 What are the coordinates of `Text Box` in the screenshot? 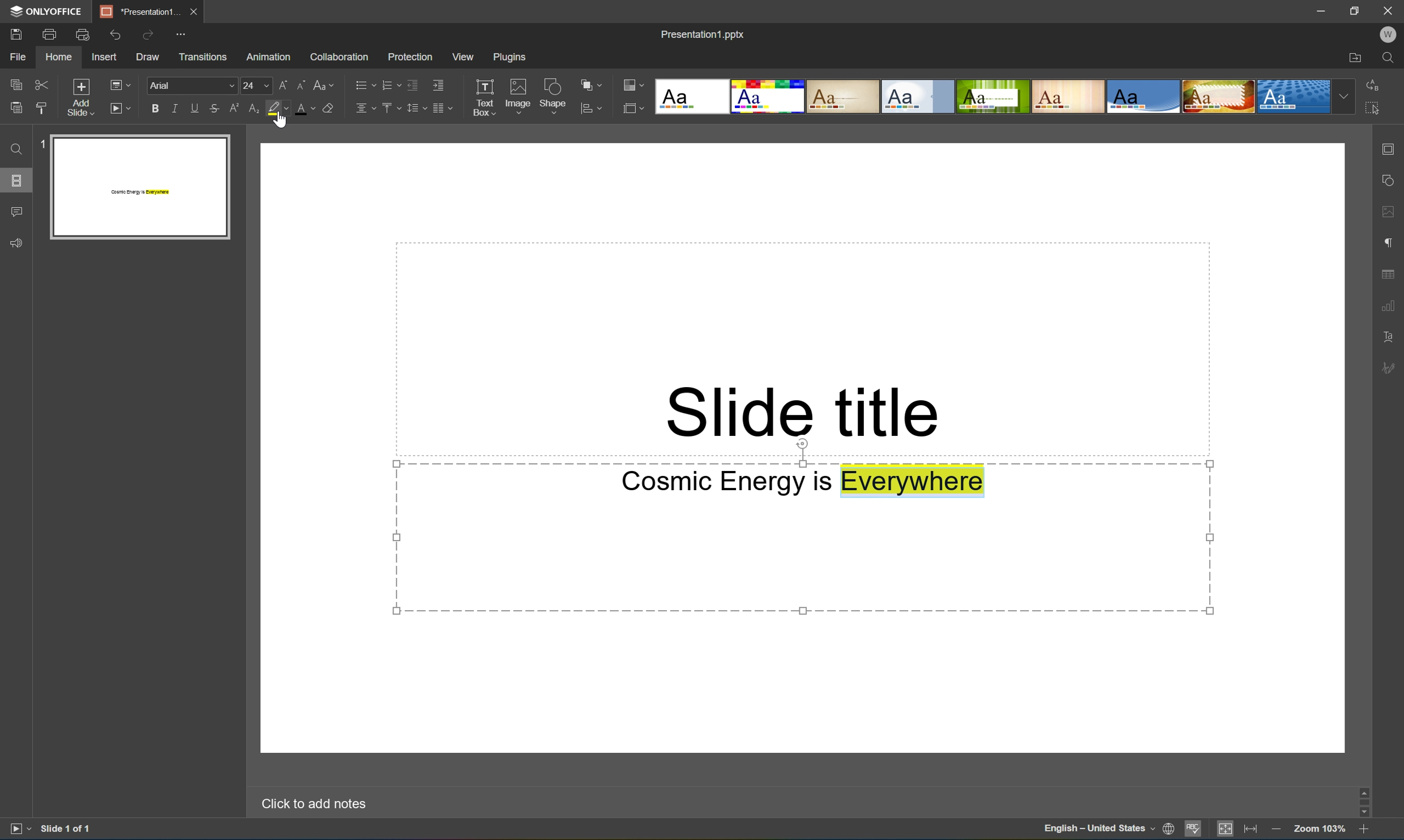 It's located at (486, 96).